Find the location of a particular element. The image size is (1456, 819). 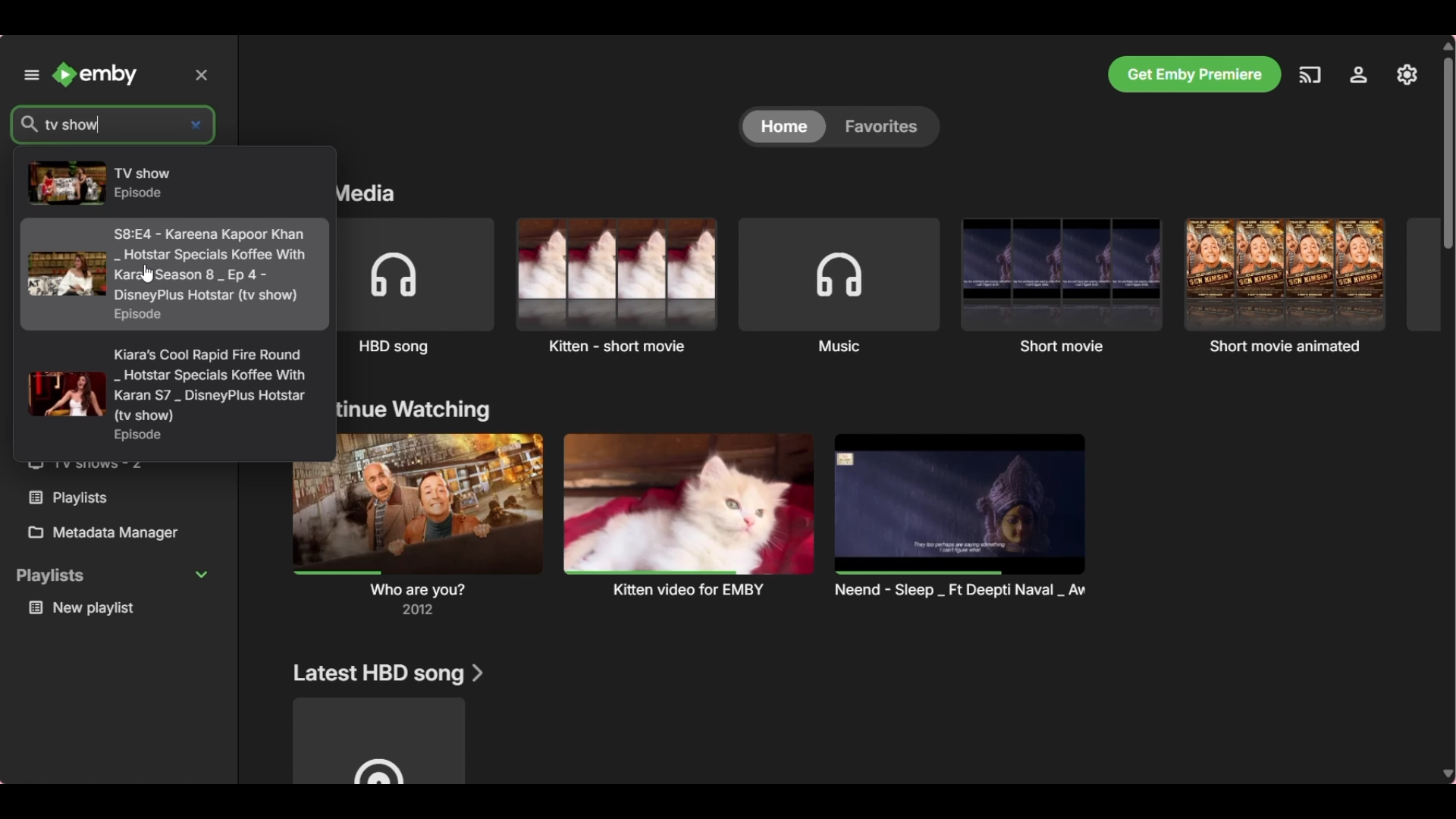

Close left panel is located at coordinates (201, 75).